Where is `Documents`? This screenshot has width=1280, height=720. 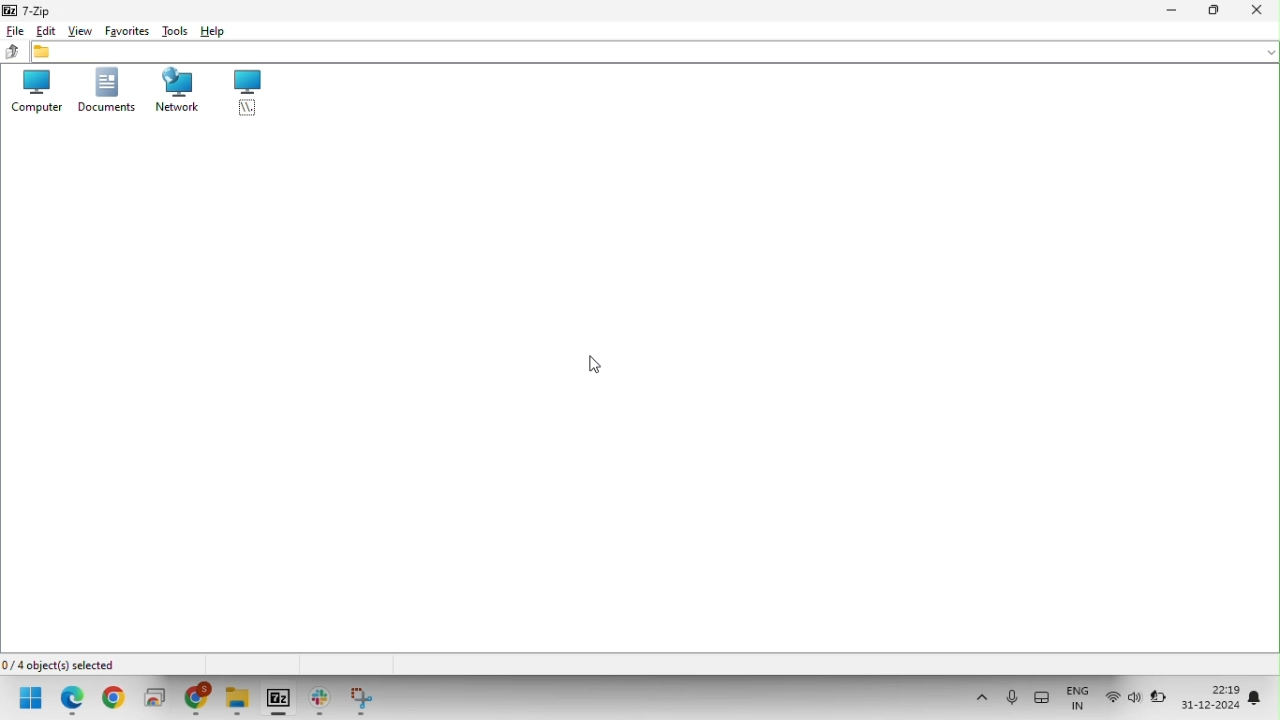 Documents is located at coordinates (104, 92).